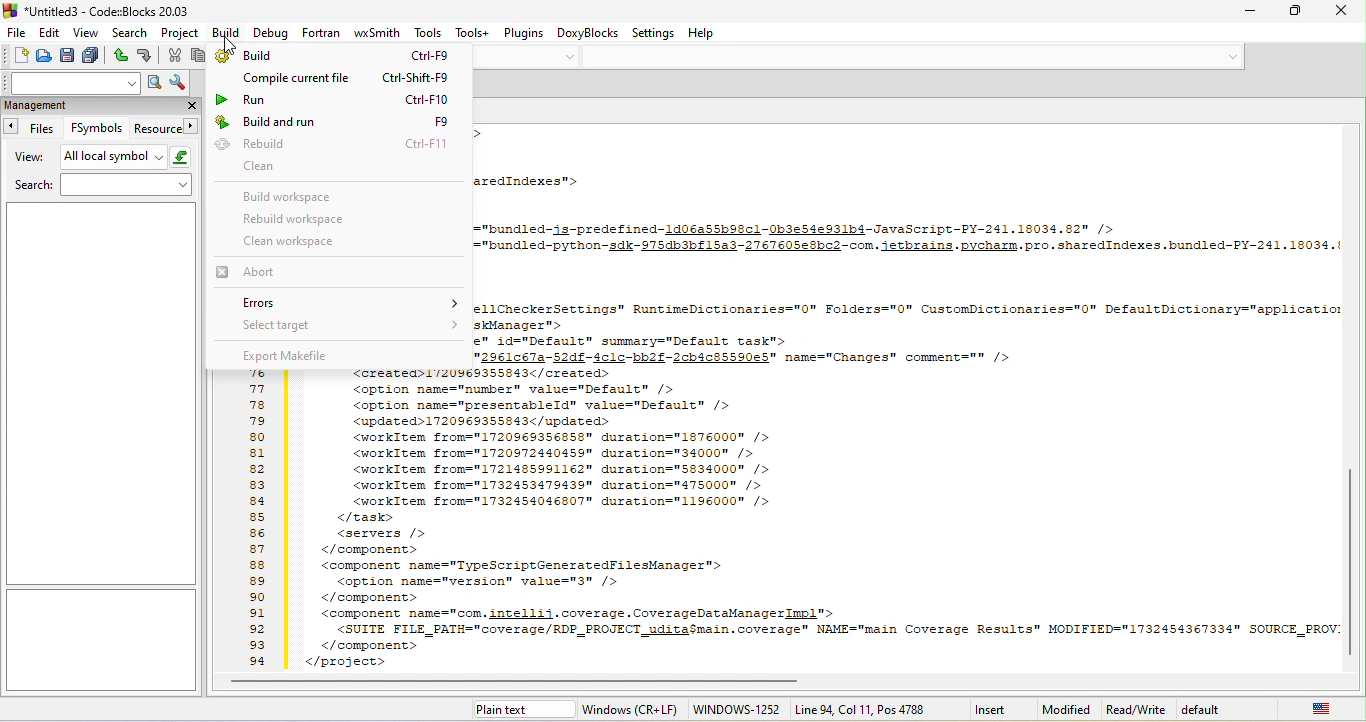  I want to click on <option name="number" value="Default" />
<option name="presentableld" value="Default" />
<updated>17209€9355843</updated>
<workItem from="172096935€858" duration="187€000" />
<workItem from="1720972440459" duration="34000" />
<workItem from="1721485991162" duration="5834000" />
<workItem from="1732453479439" duration="475000" />
<workItem from="173245404€807" duration="1196000" />
</task>
<servers />
</component>
<component name="TypeScriptGeneratedFilestanager™>
<option name="version" value="3" />
</component>
<component name="com.intellii.coverage.CoverageDatalianage: Inpl">
<SUITE FILE_PATH="coverage/RDE_PROJECT_uditamain, coverage" NAME="main Coverage Results" MODIFIED="1732454367334" SOURCE_PROV
</component>
</project>, so click(817, 525).